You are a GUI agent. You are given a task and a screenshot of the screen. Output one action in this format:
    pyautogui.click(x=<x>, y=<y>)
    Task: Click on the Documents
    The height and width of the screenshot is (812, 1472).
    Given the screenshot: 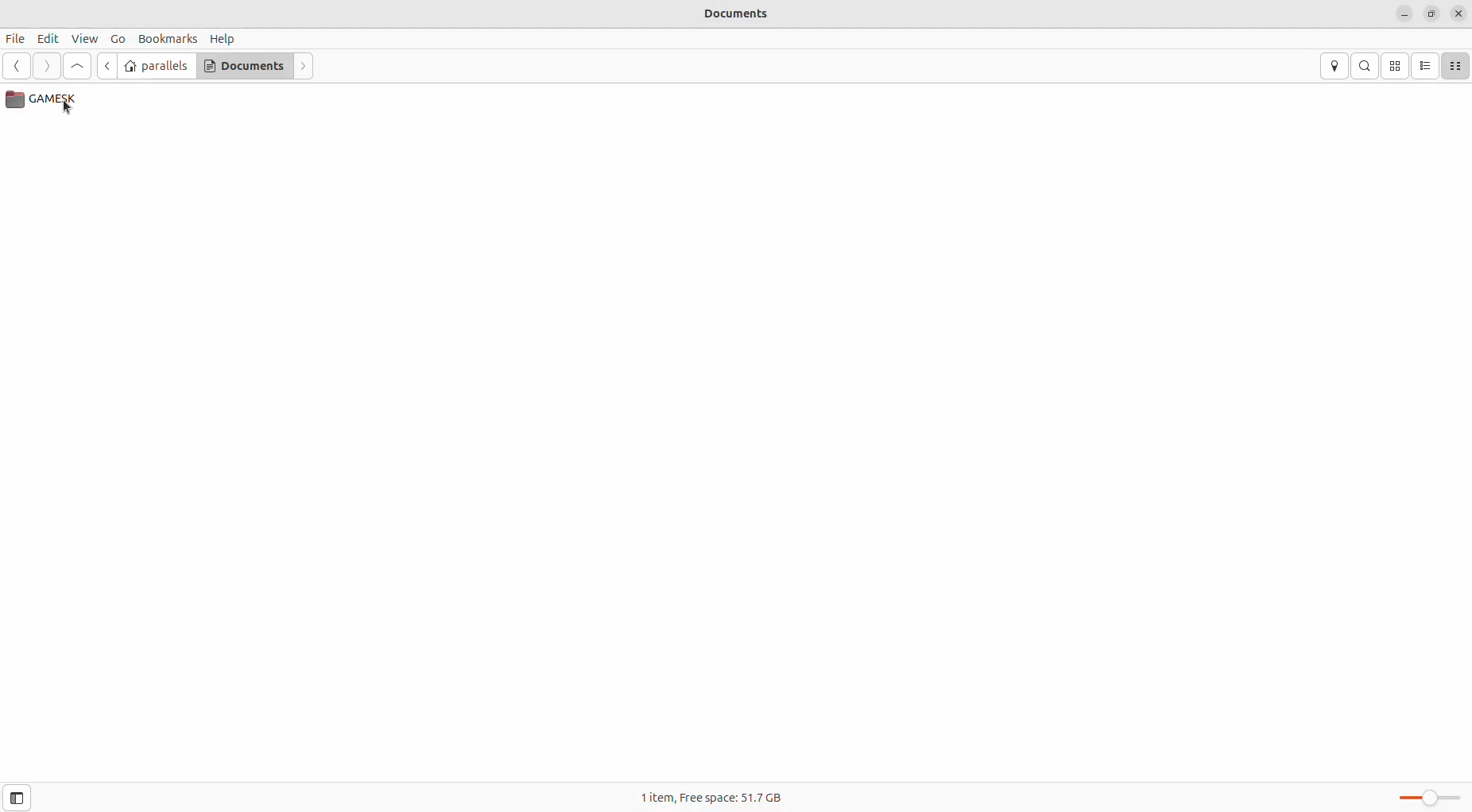 What is the action you would take?
    pyautogui.click(x=732, y=13)
    